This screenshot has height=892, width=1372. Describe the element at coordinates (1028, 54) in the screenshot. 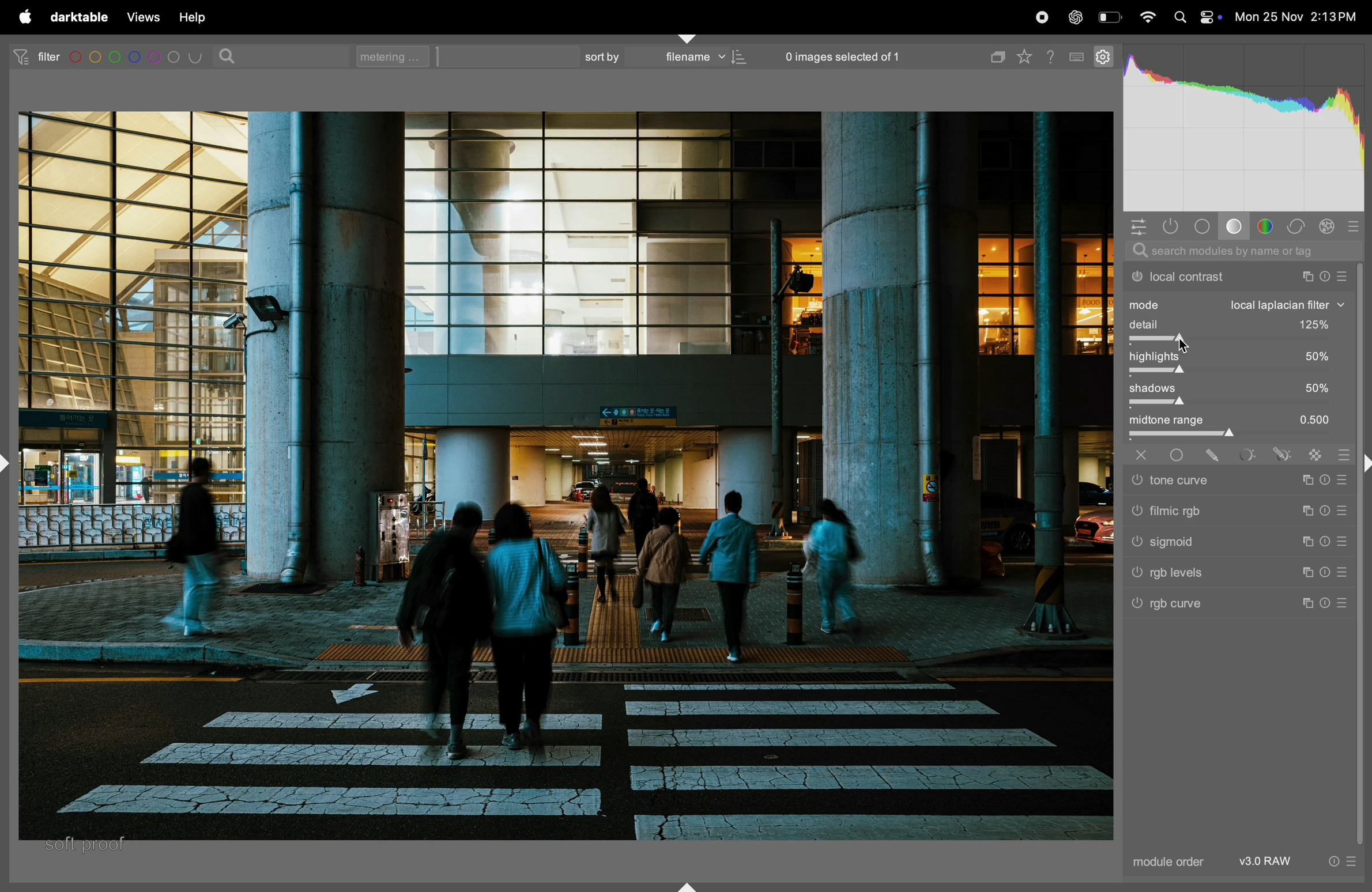

I see `favourites` at that location.